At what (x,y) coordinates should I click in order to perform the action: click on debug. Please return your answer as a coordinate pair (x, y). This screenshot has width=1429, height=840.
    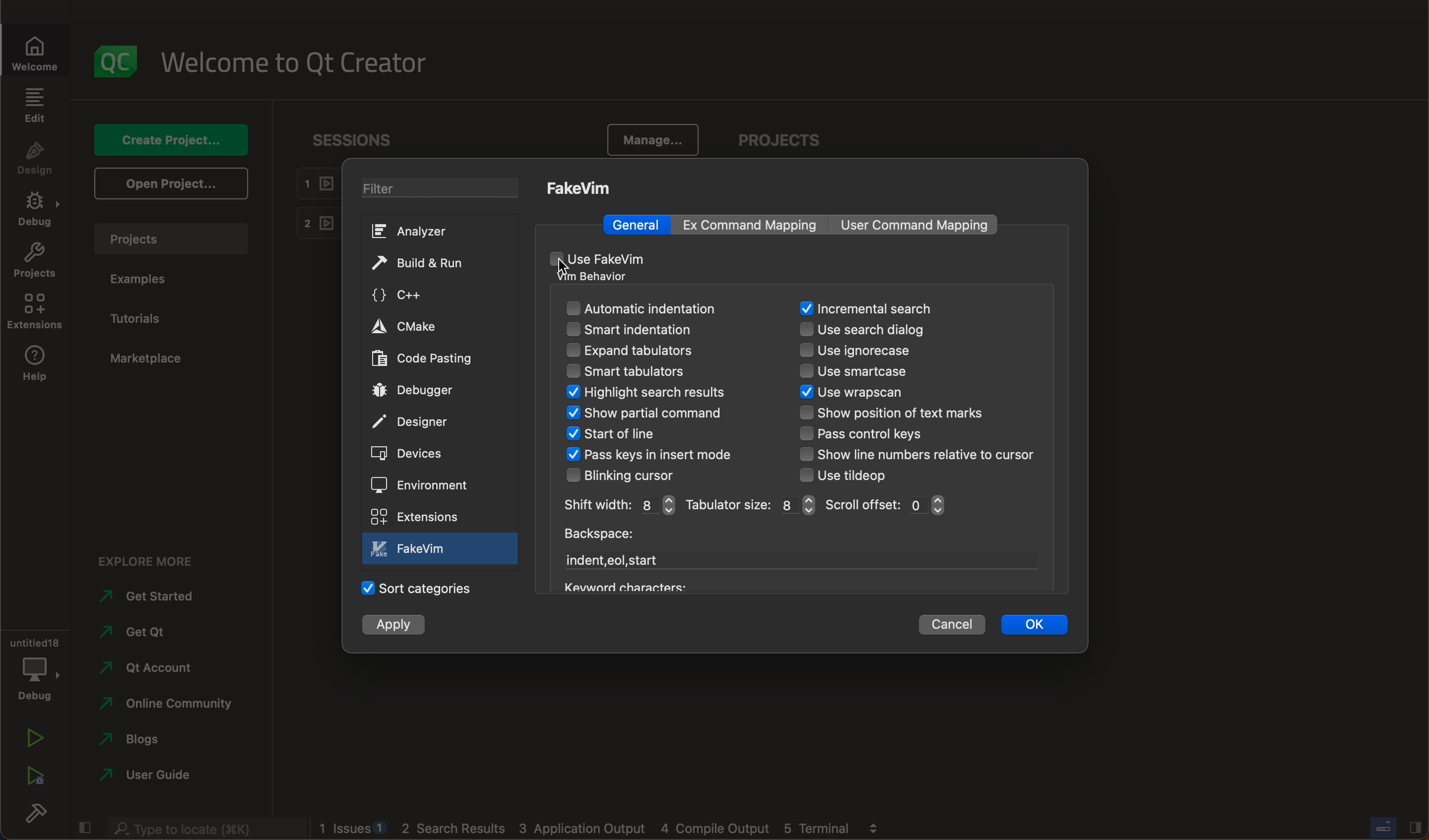
    Looking at the image, I should click on (37, 207).